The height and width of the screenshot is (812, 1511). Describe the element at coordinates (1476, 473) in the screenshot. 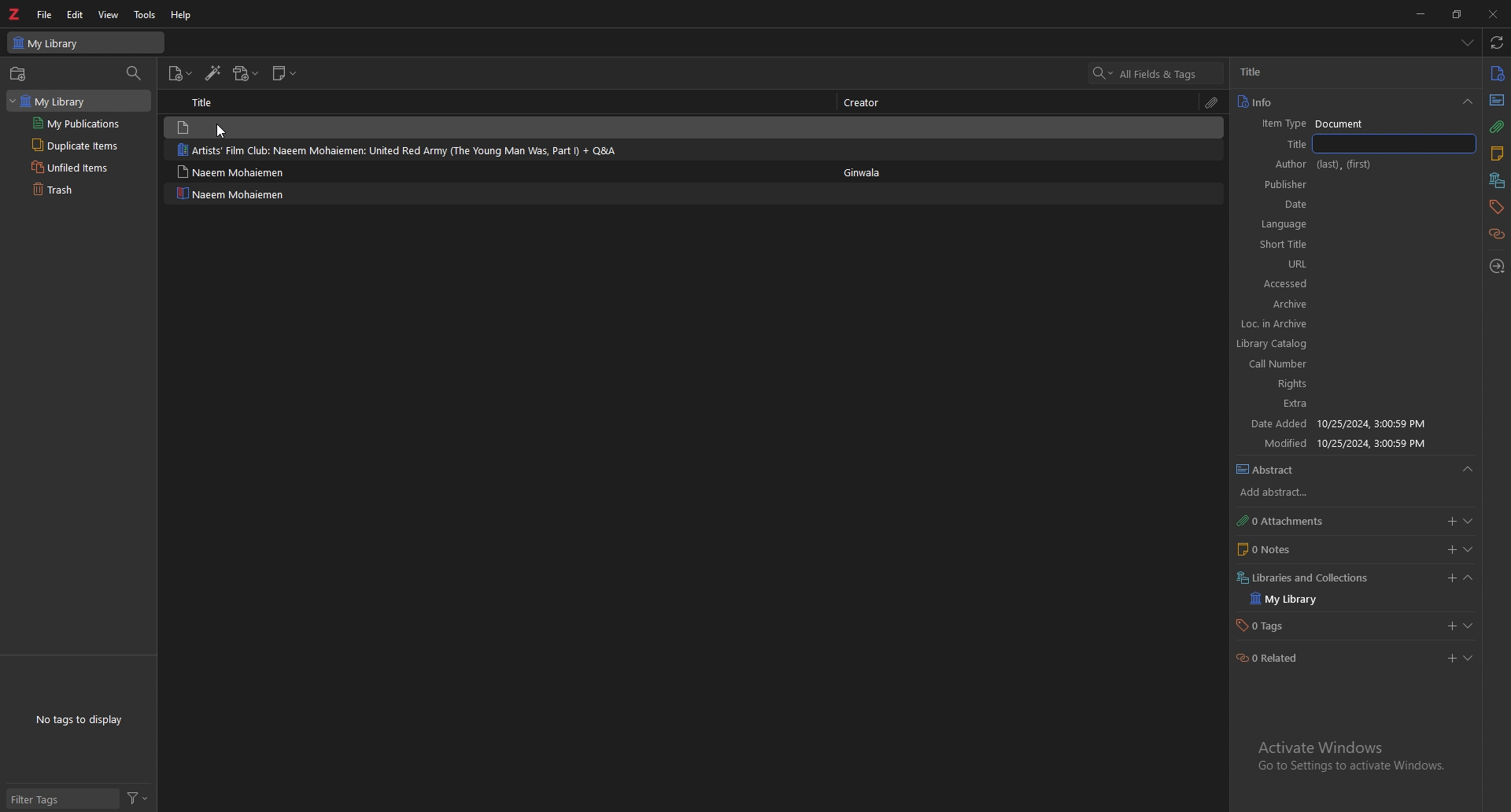

I see `Menu` at that location.